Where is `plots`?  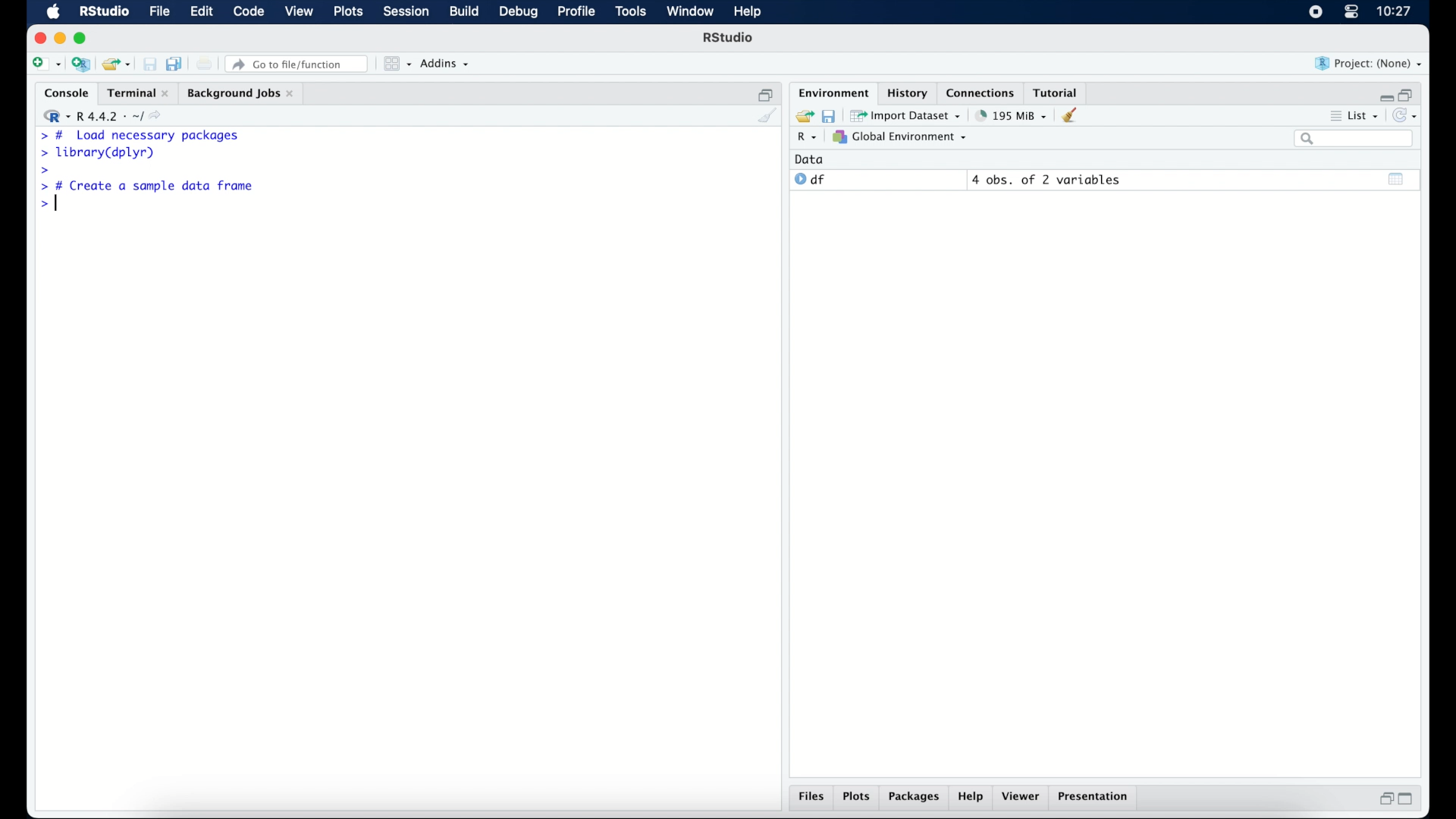
plots is located at coordinates (858, 798).